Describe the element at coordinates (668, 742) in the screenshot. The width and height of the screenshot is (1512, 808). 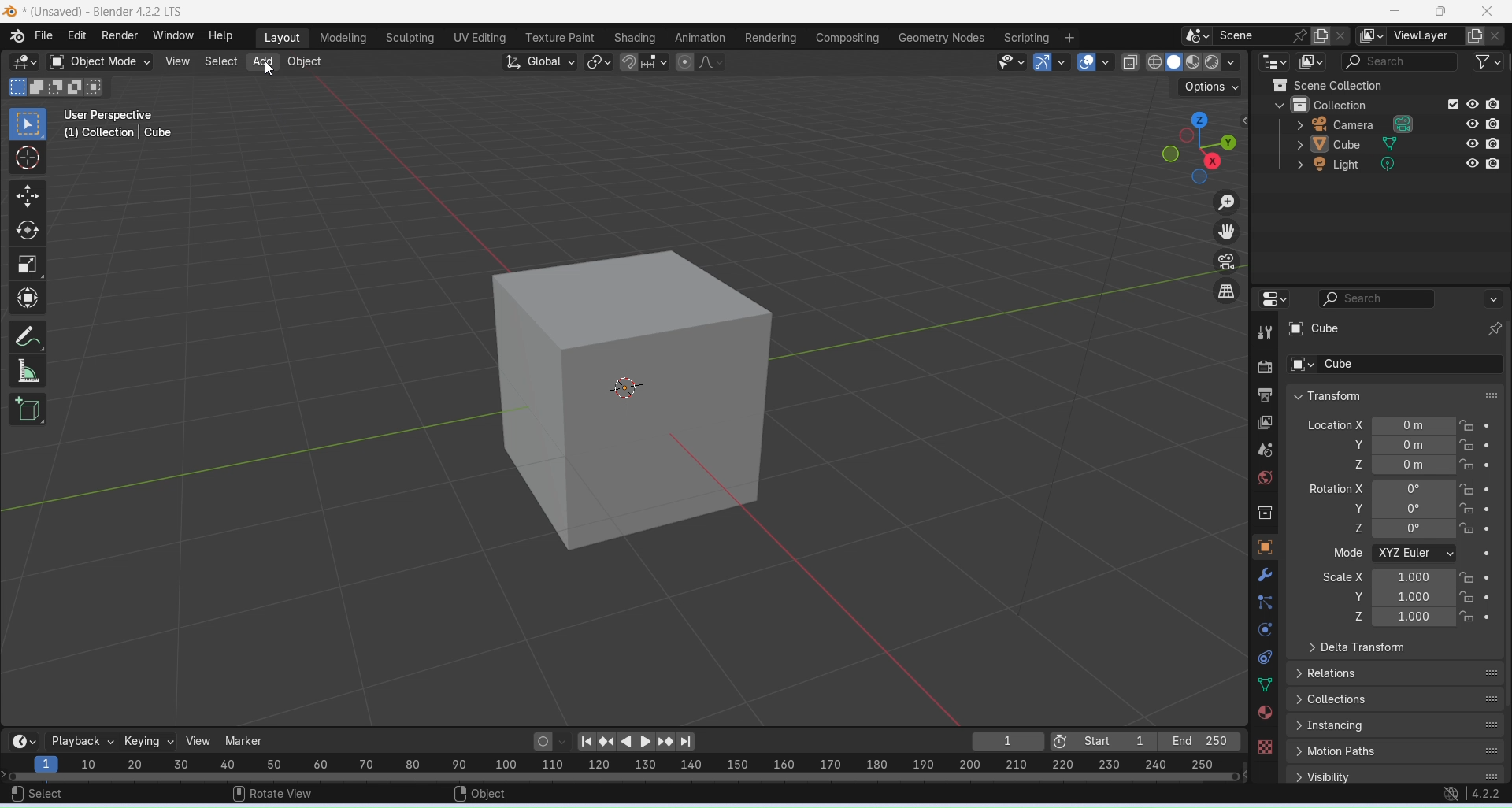
I see `Jump to keyframe` at that location.